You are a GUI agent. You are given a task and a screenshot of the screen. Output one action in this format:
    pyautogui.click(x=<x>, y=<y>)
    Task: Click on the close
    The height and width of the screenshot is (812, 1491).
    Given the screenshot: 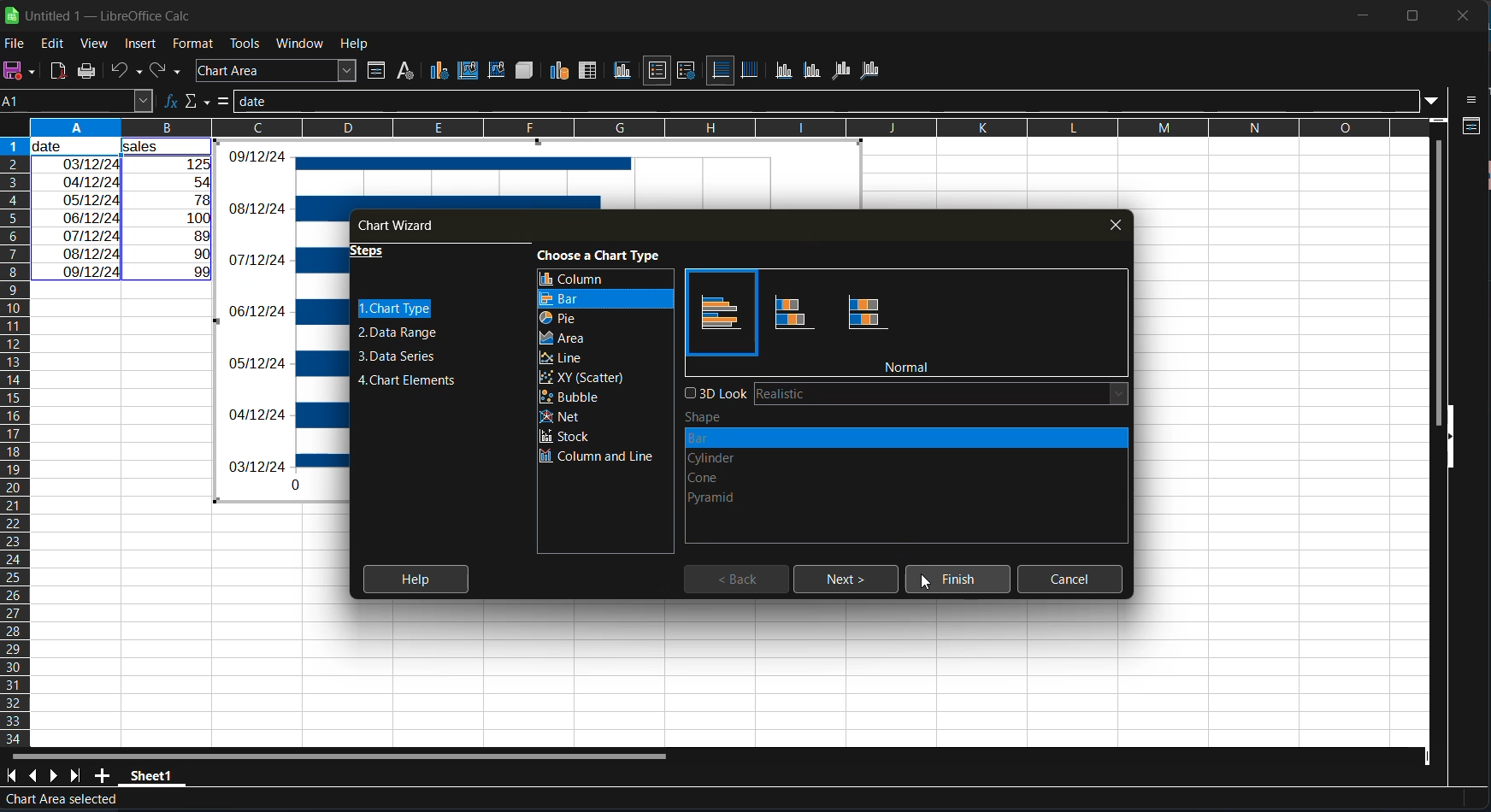 What is the action you would take?
    pyautogui.click(x=1463, y=15)
    